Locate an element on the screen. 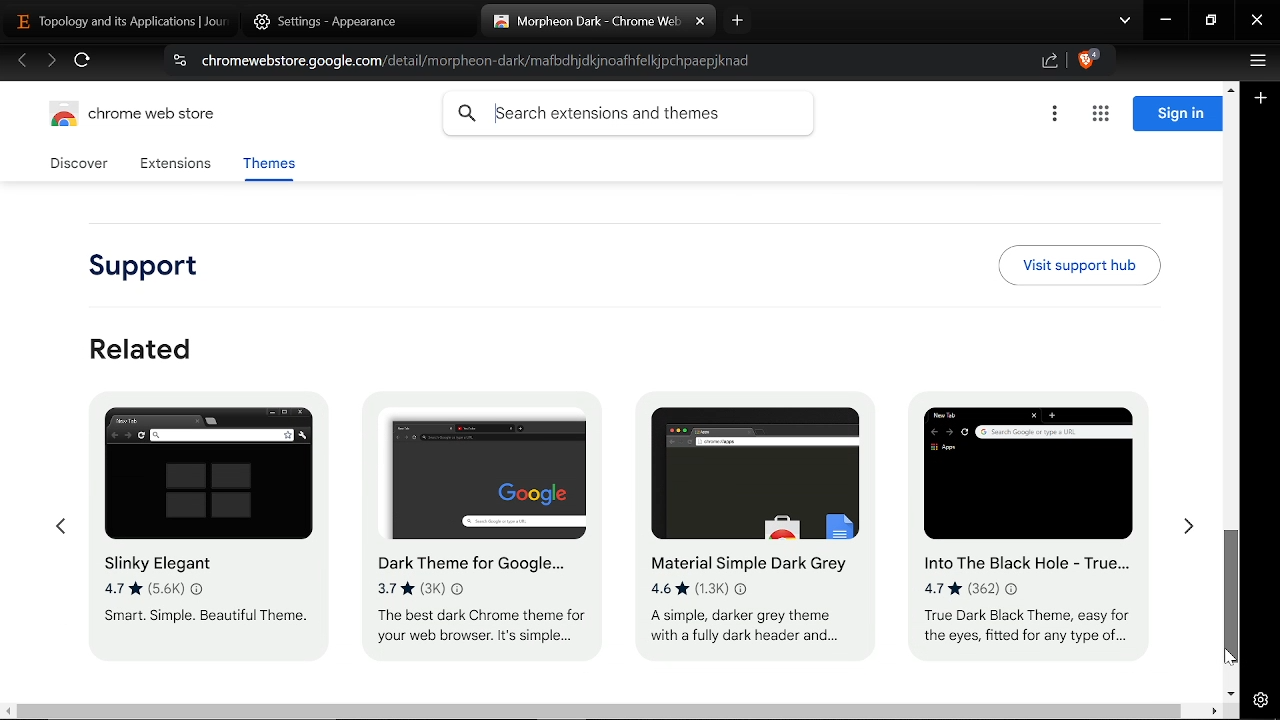 This screenshot has height=720, width=1280. Support is located at coordinates (154, 268).